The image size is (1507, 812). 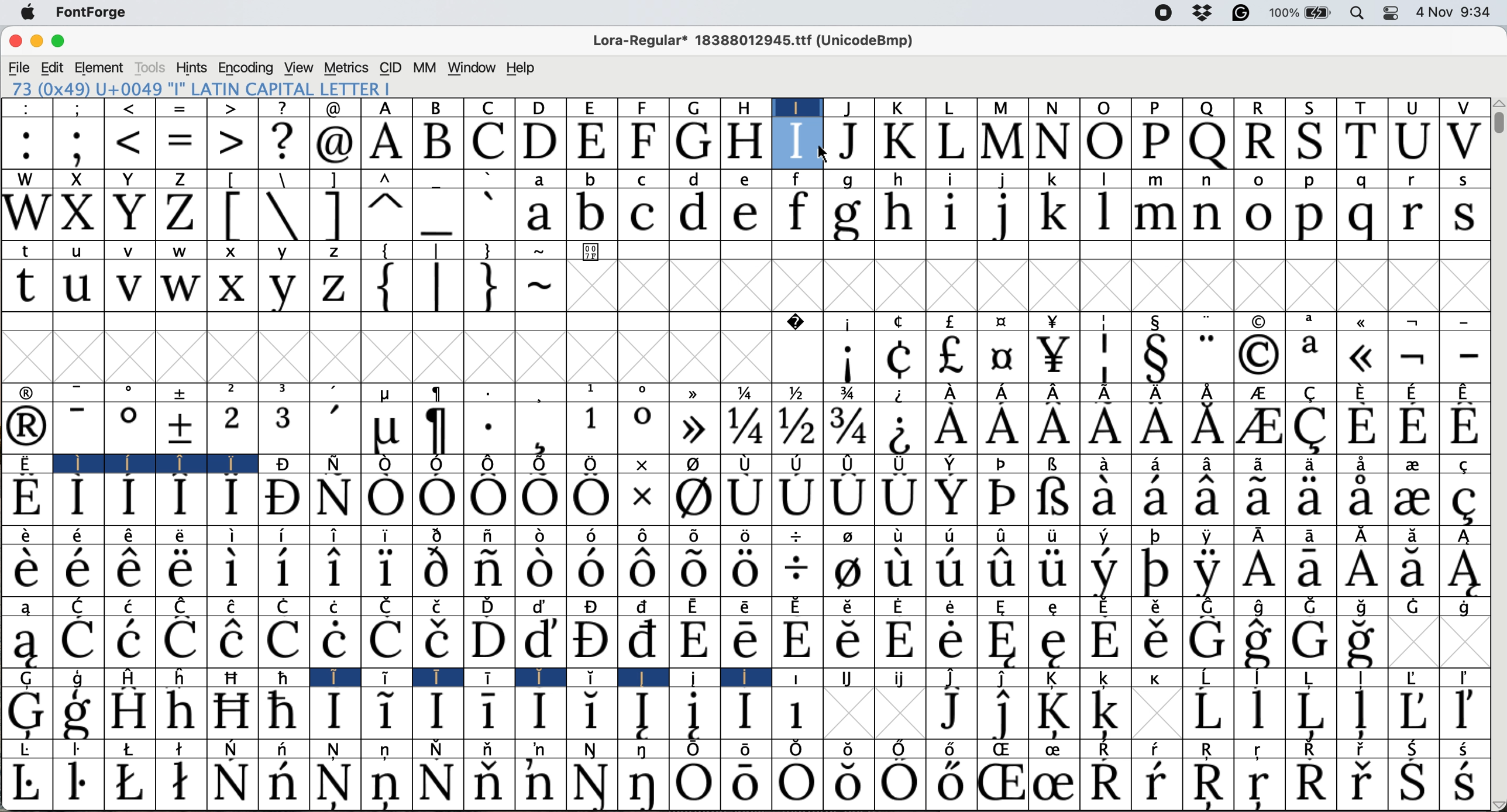 I want to click on Symbol, so click(x=180, y=712).